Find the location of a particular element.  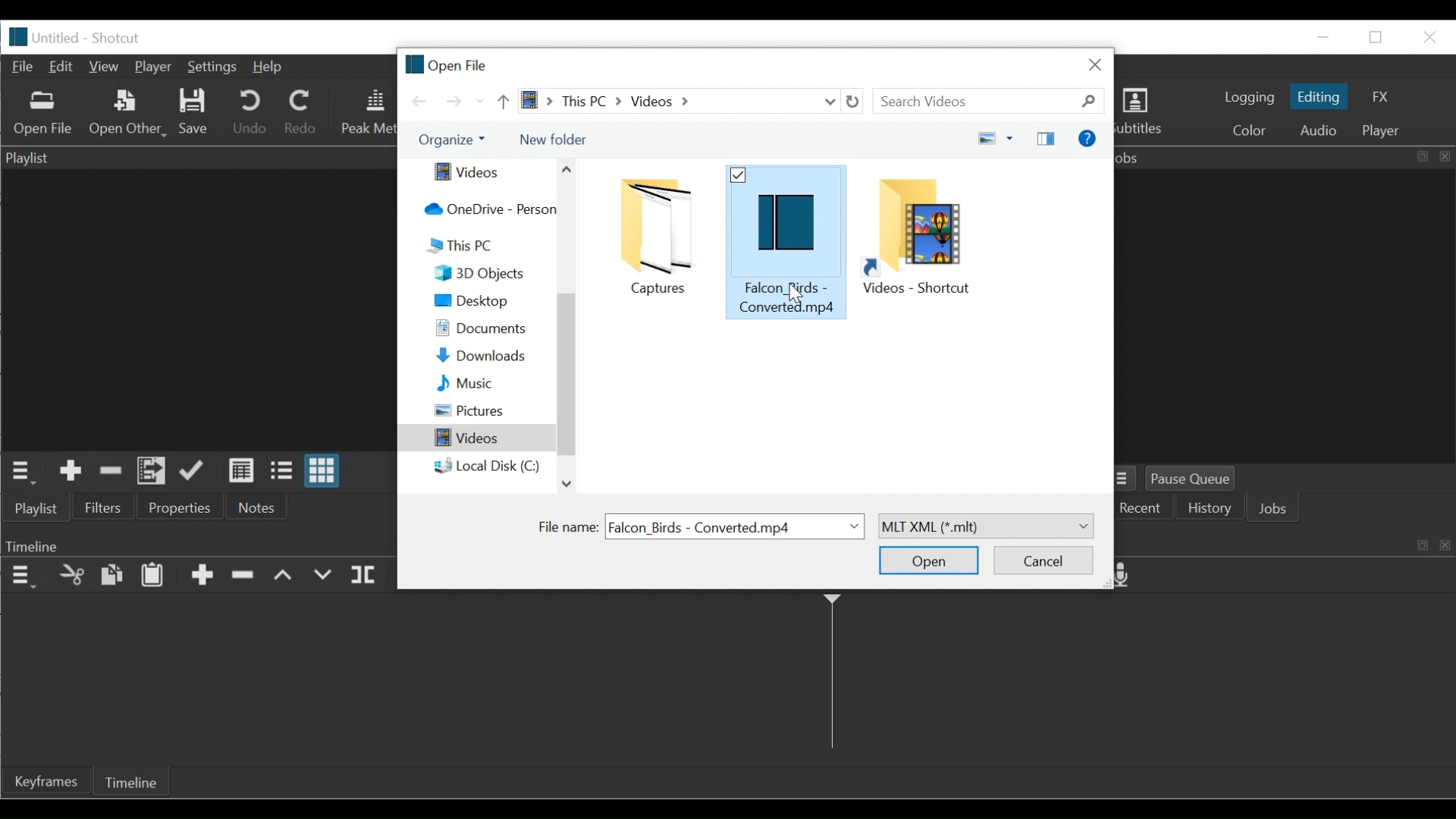

Split at playhead is located at coordinates (366, 576).